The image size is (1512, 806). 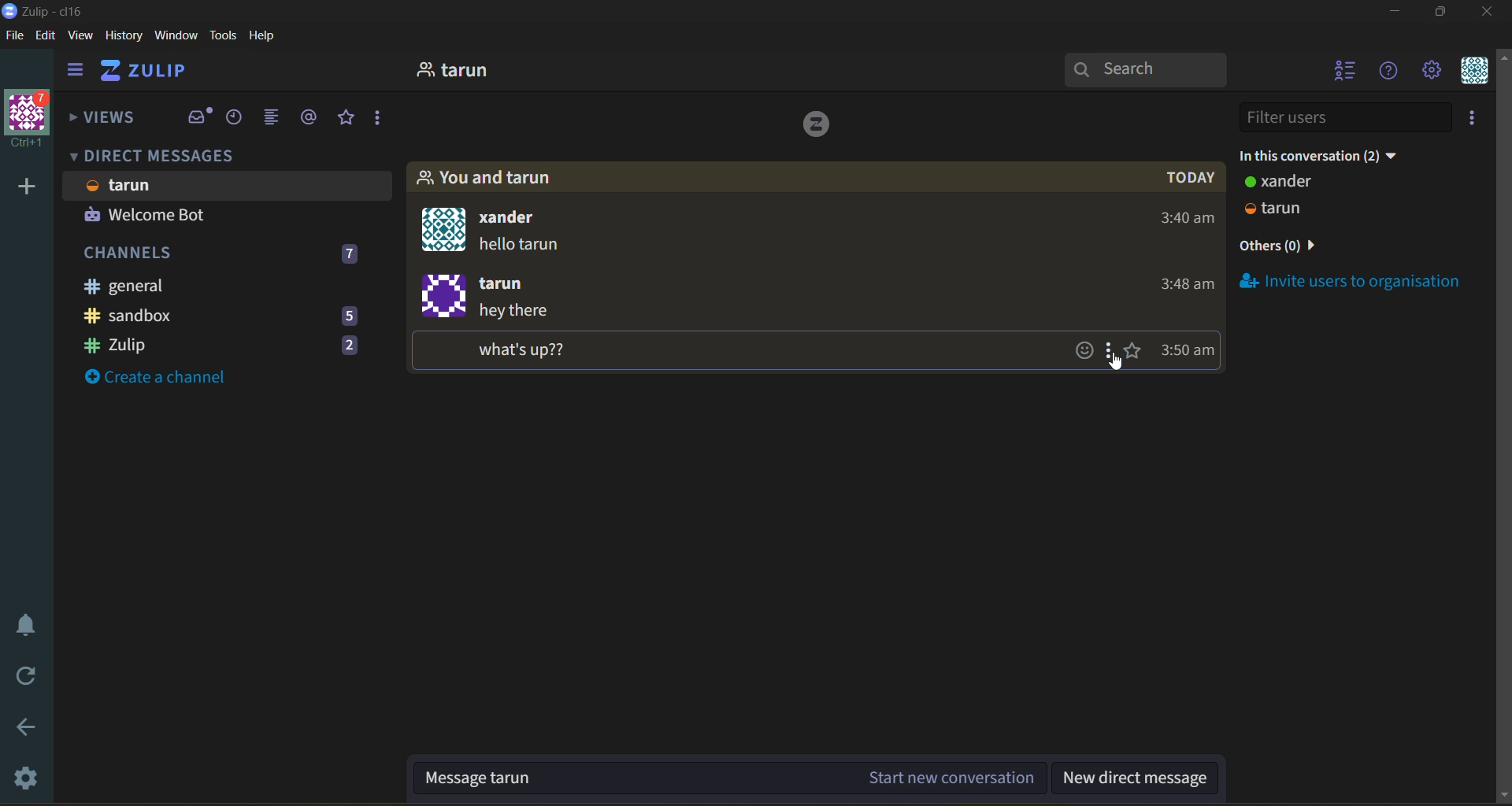 What do you see at coordinates (309, 119) in the screenshot?
I see `mentions` at bounding box center [309, 119].